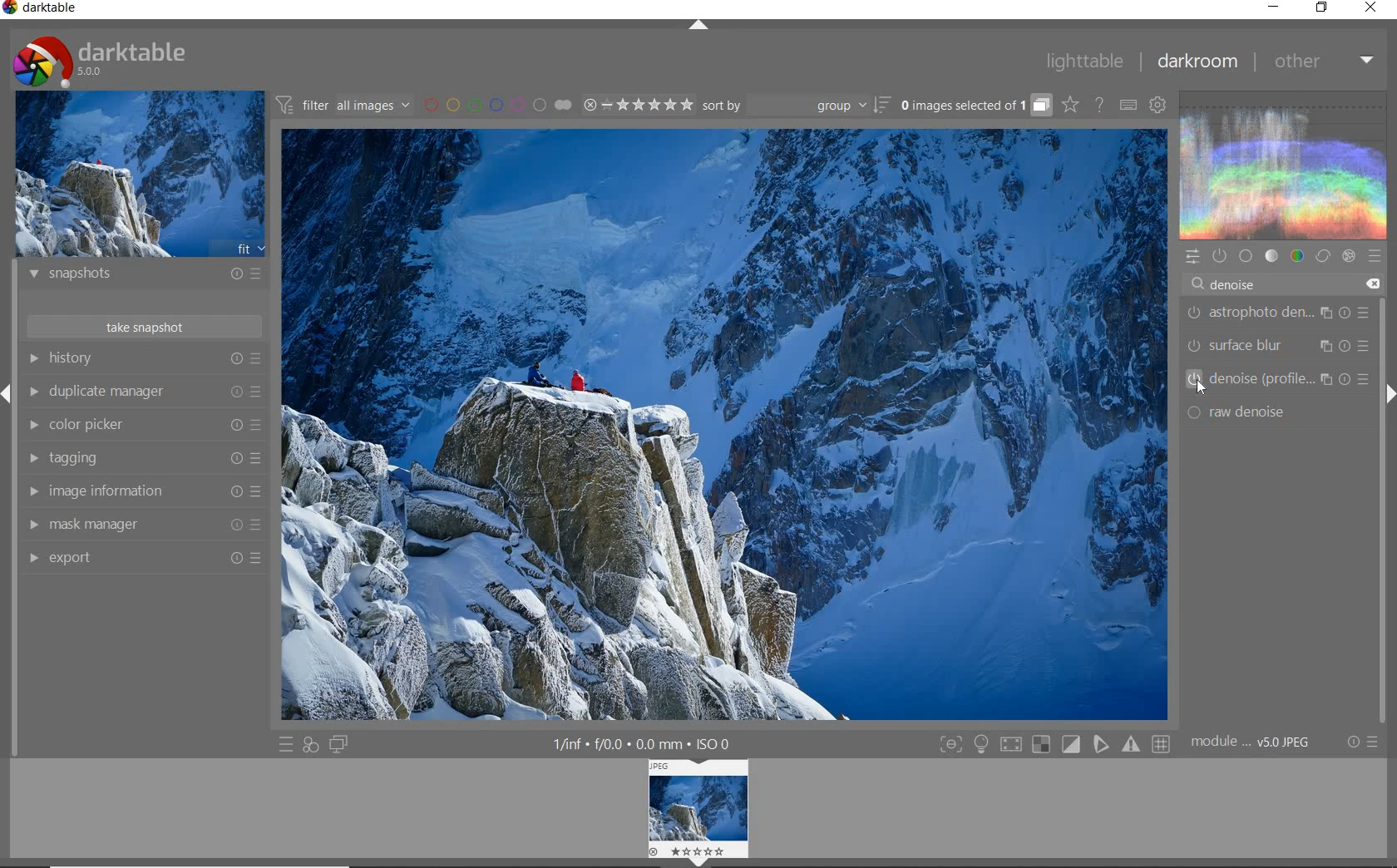  Describe the element at coordinates (1246, 255) in the screenshot. I see `base` at that location.